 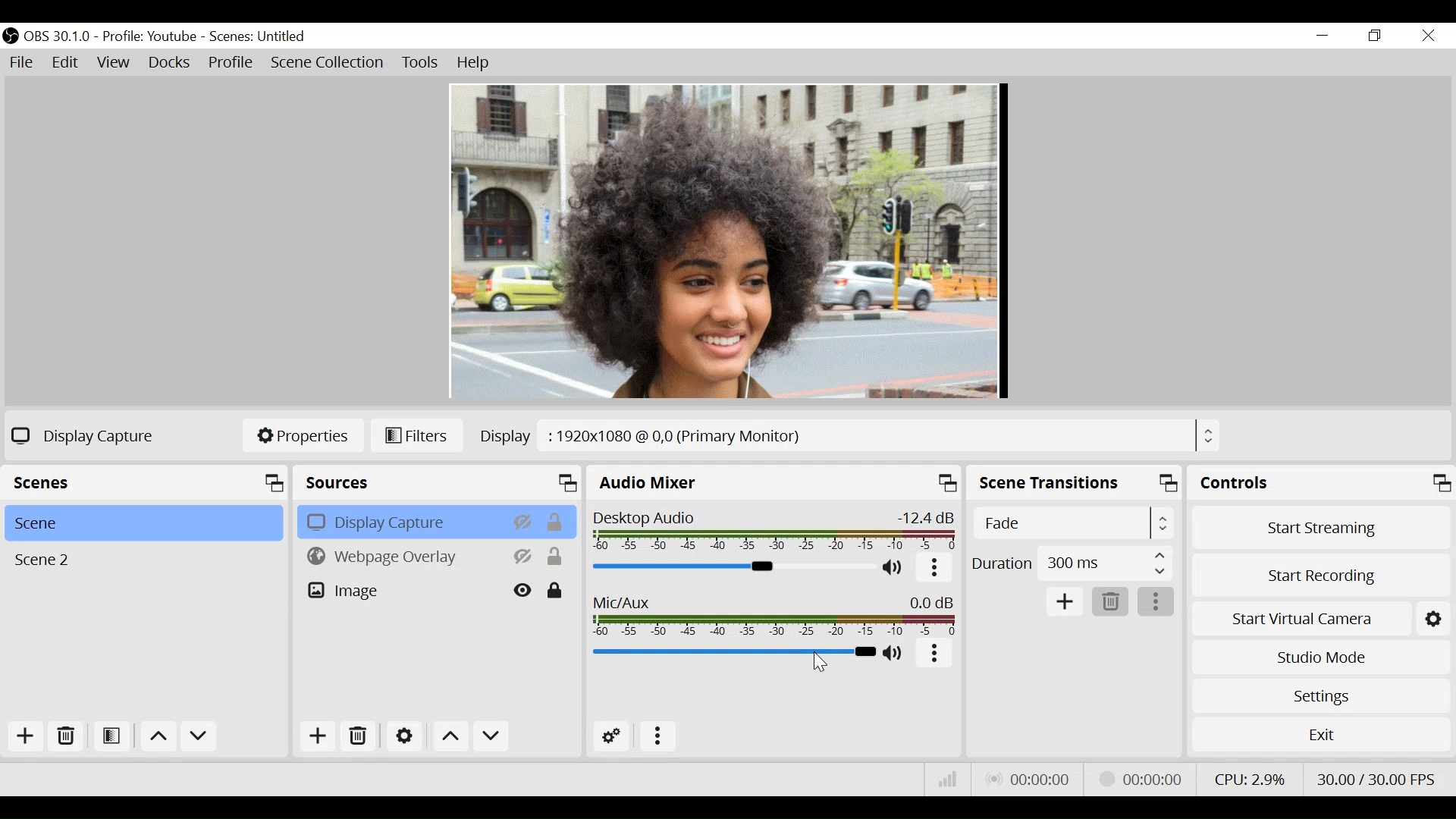 I want to click on Source, so click(x=436, y=483).